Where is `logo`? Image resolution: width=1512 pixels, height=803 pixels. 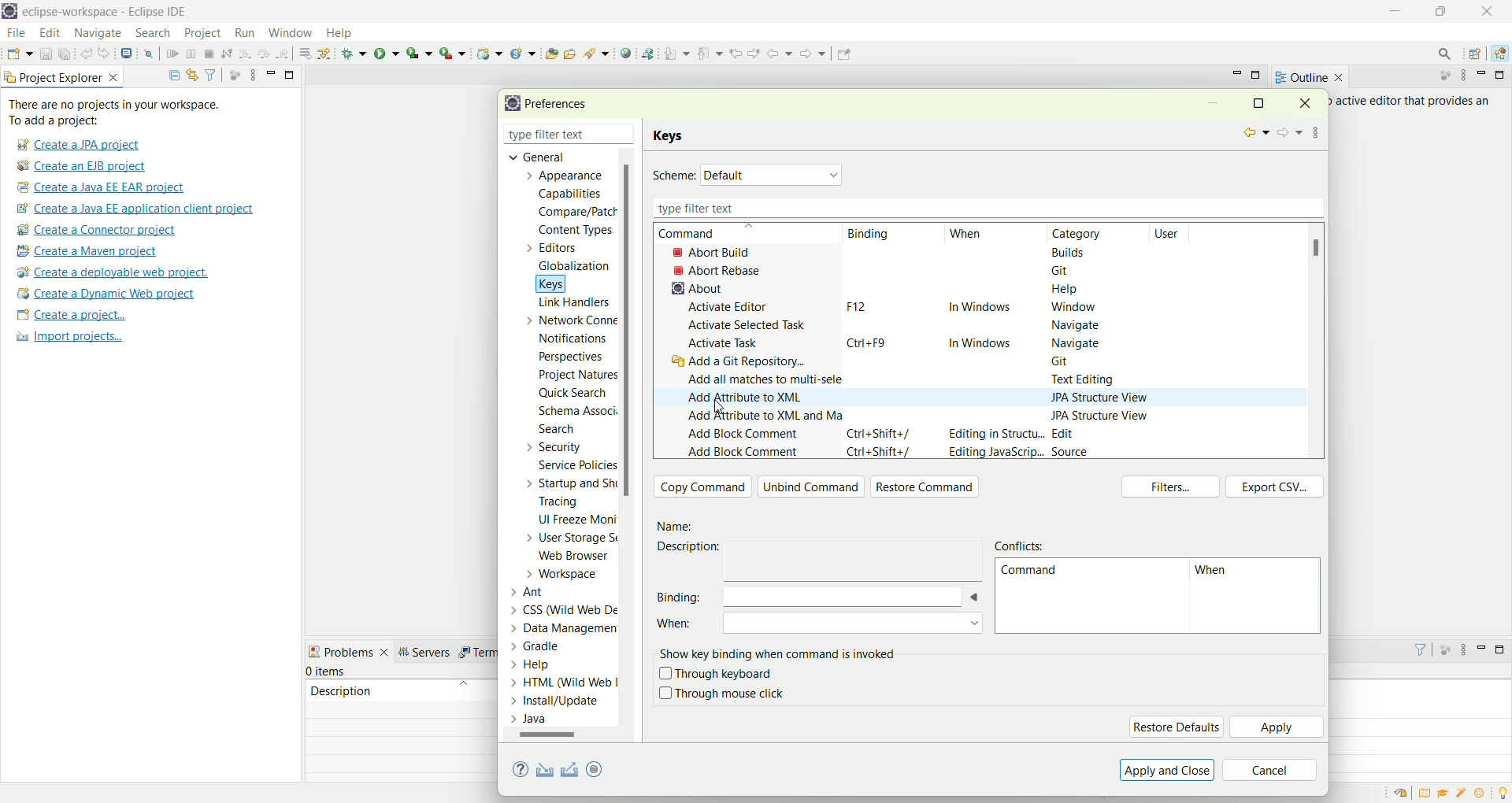
logo is located at coordinates (9, 13).